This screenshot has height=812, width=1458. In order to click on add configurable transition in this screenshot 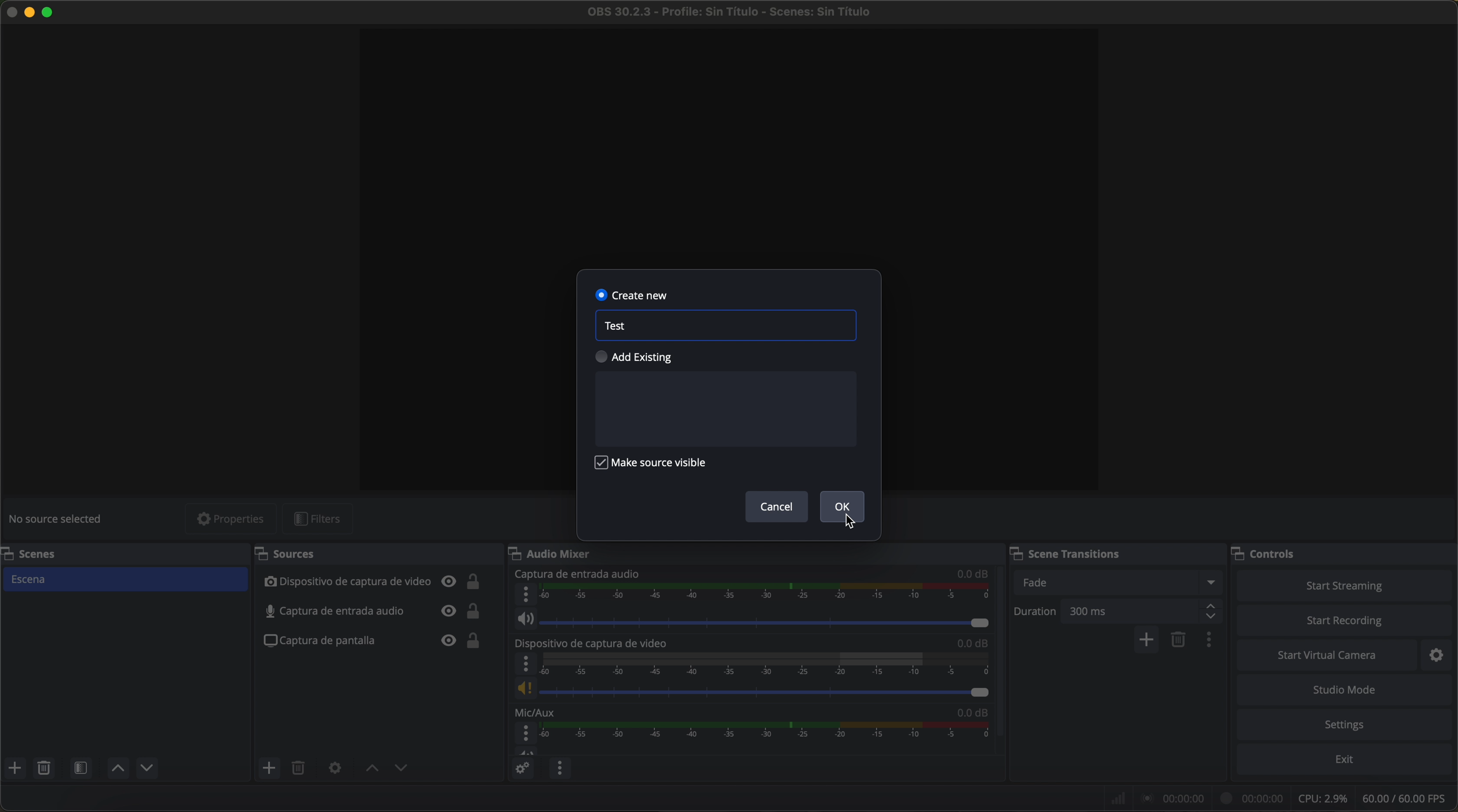, I will do `click(1147, 641)`.